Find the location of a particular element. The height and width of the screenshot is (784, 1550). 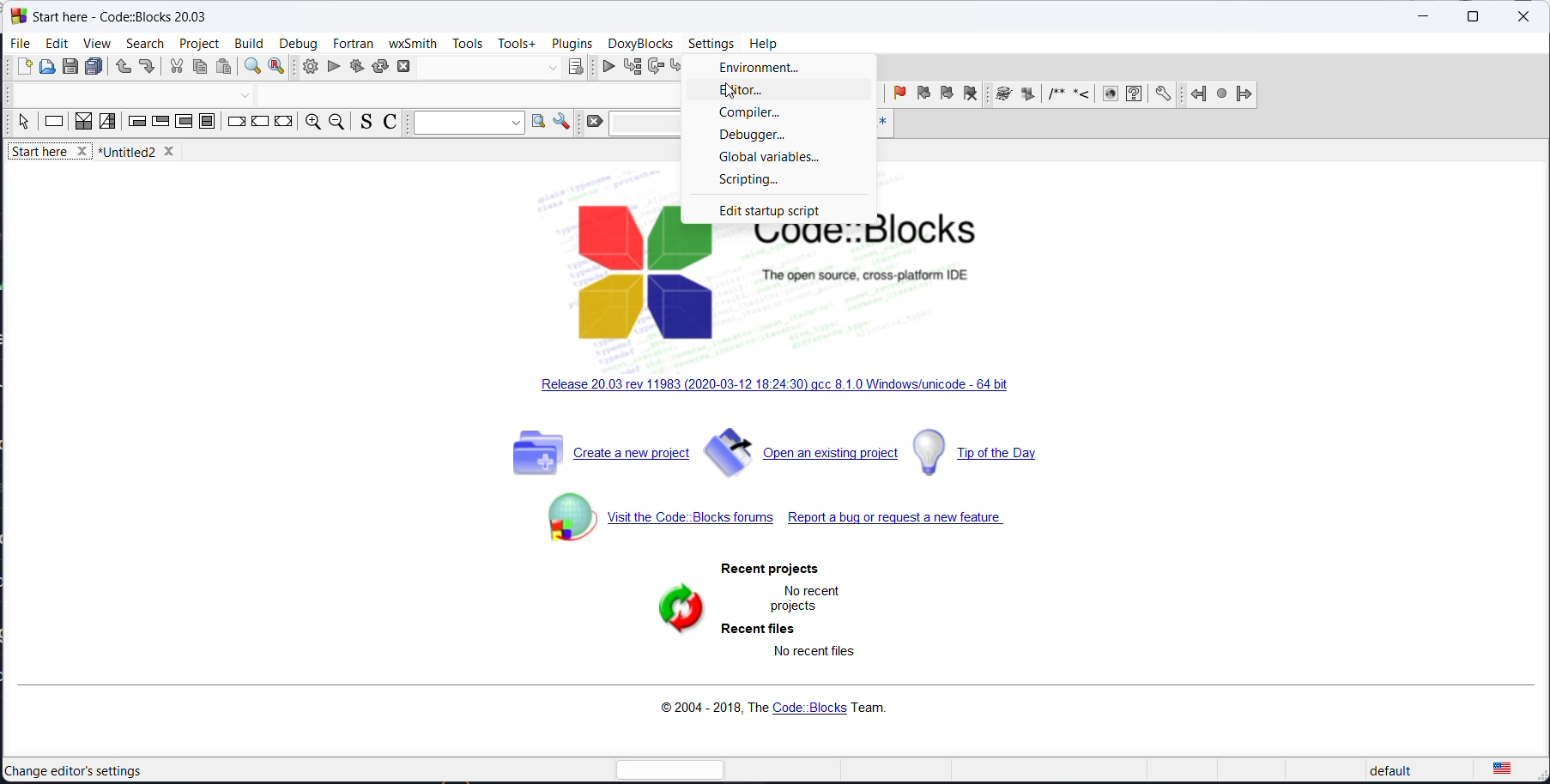

close is located at coordinates (1523, 18).